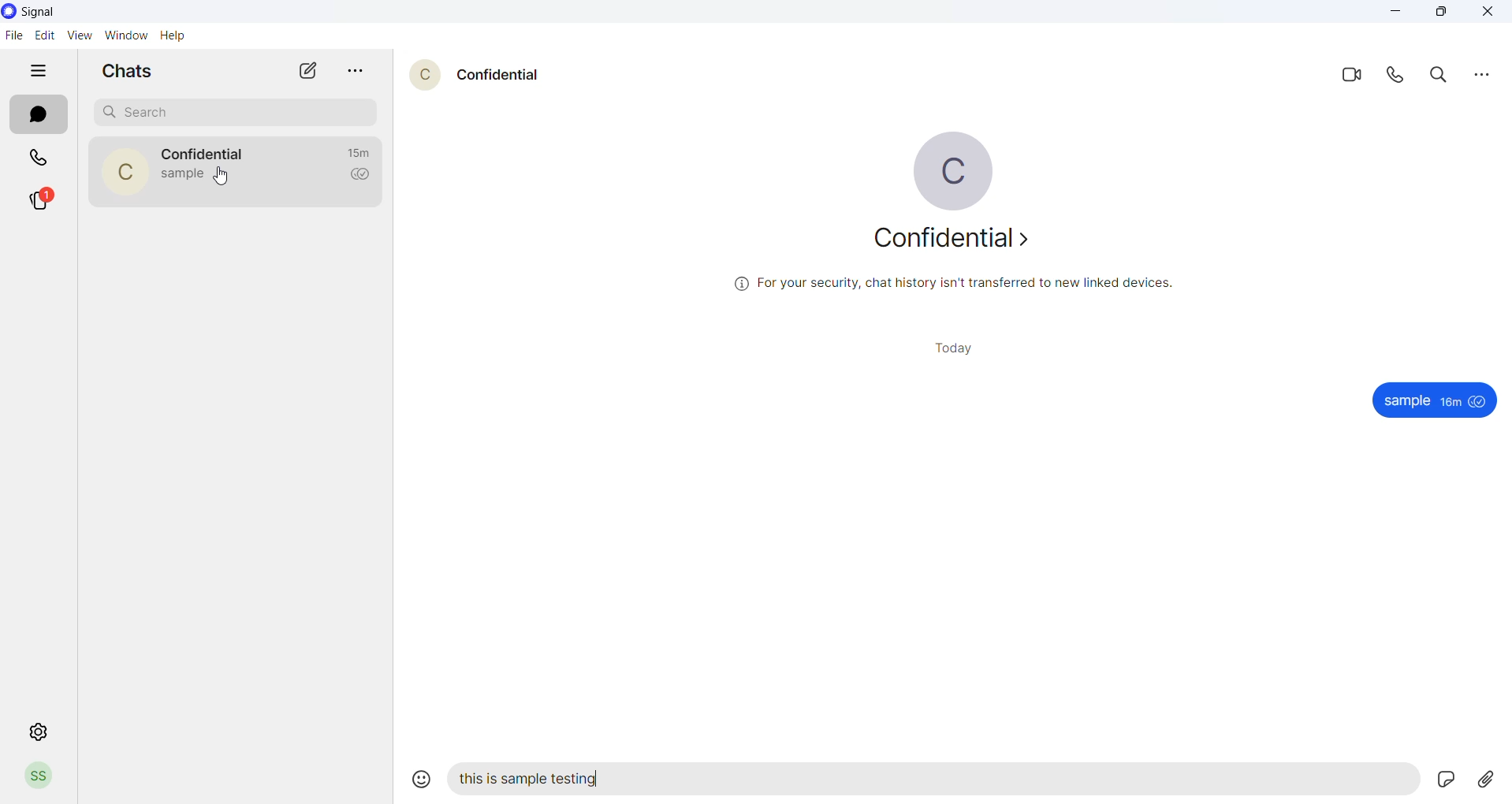  Describe the element at coordinates (1404, 400) in the screenshot. I see `sample` at that location.